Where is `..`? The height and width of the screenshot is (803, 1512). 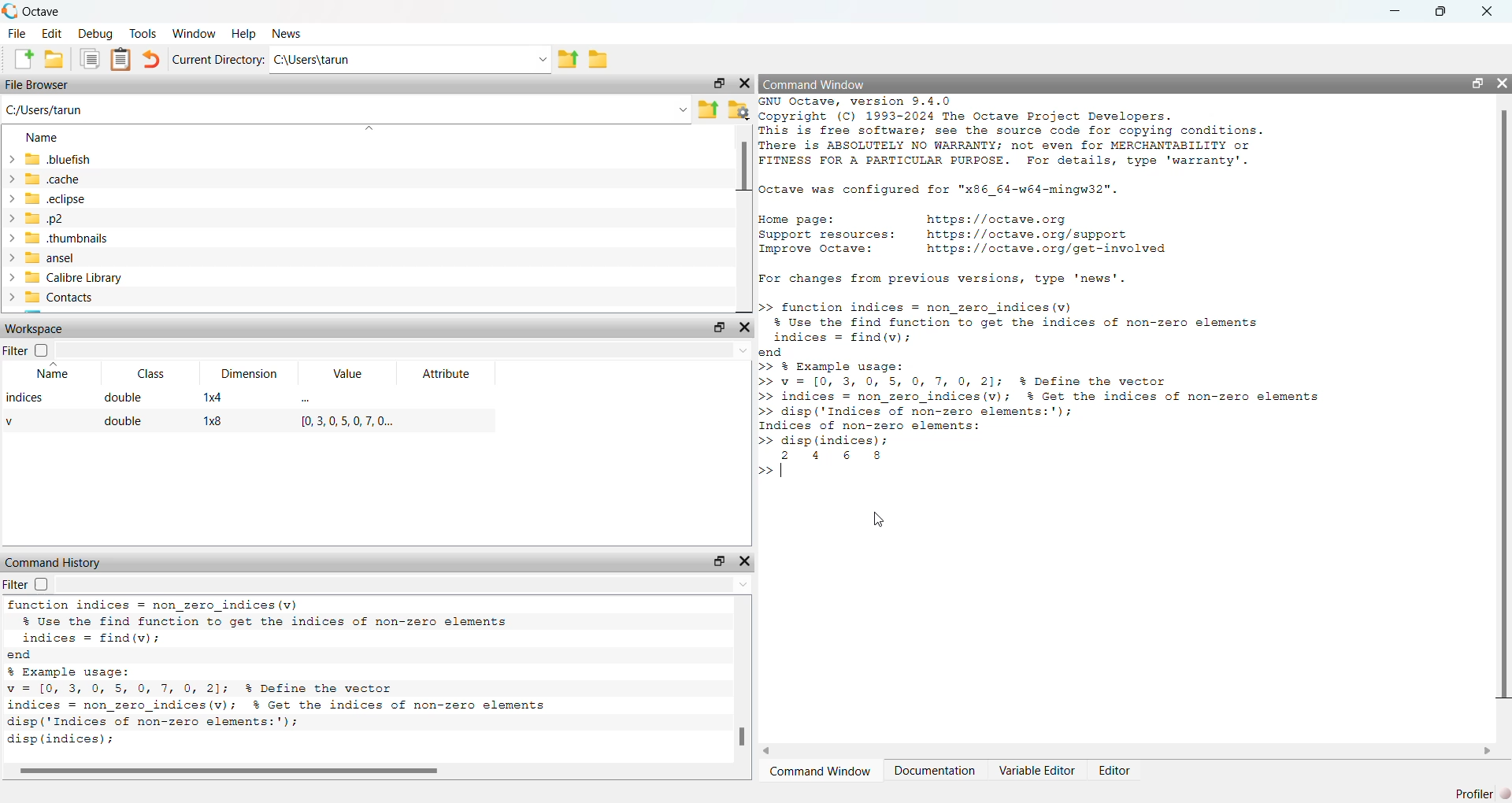
.. is located at coordinates (310, 399).